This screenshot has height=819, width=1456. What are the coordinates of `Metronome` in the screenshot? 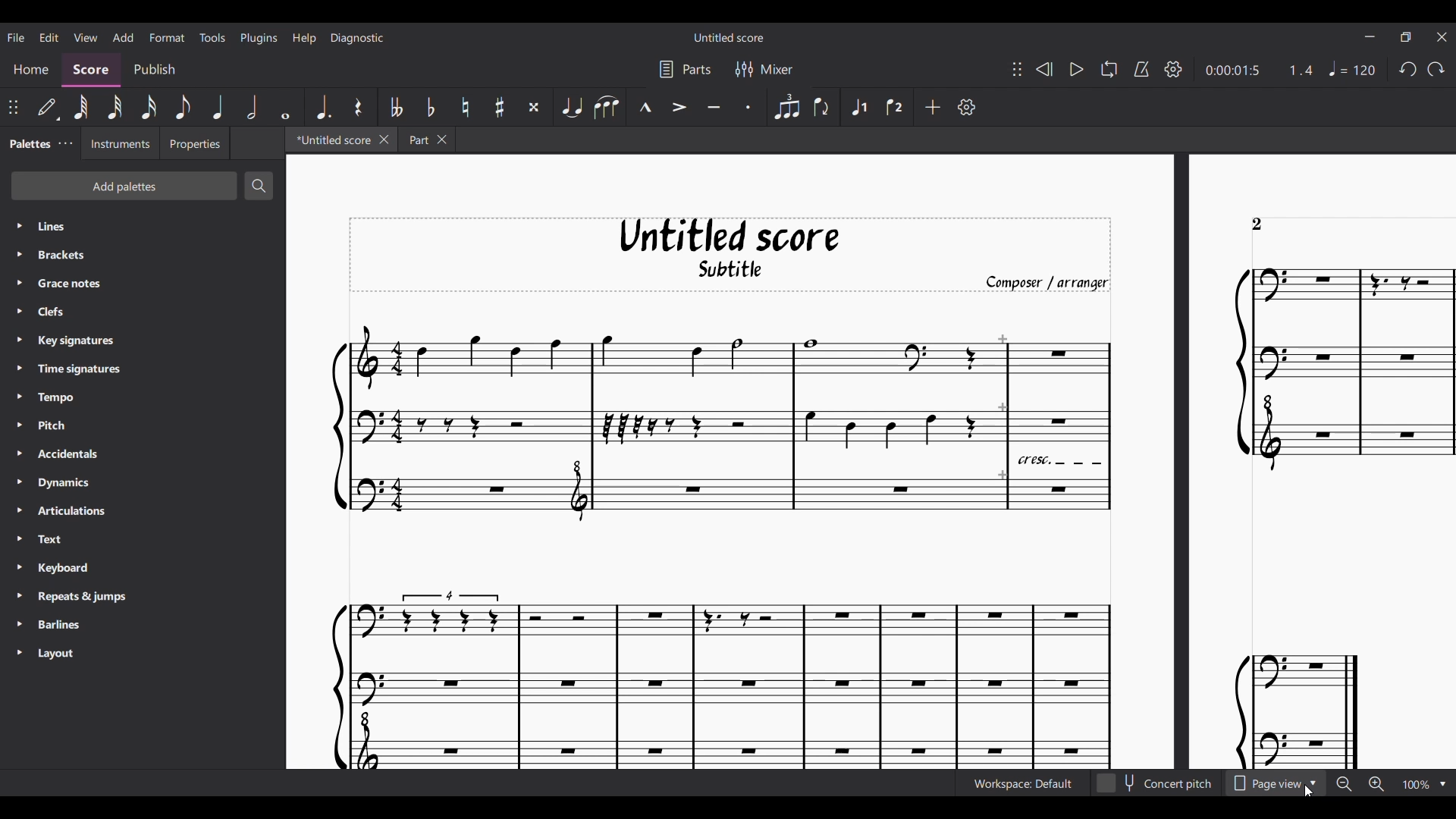 It's located at (1141, 69).